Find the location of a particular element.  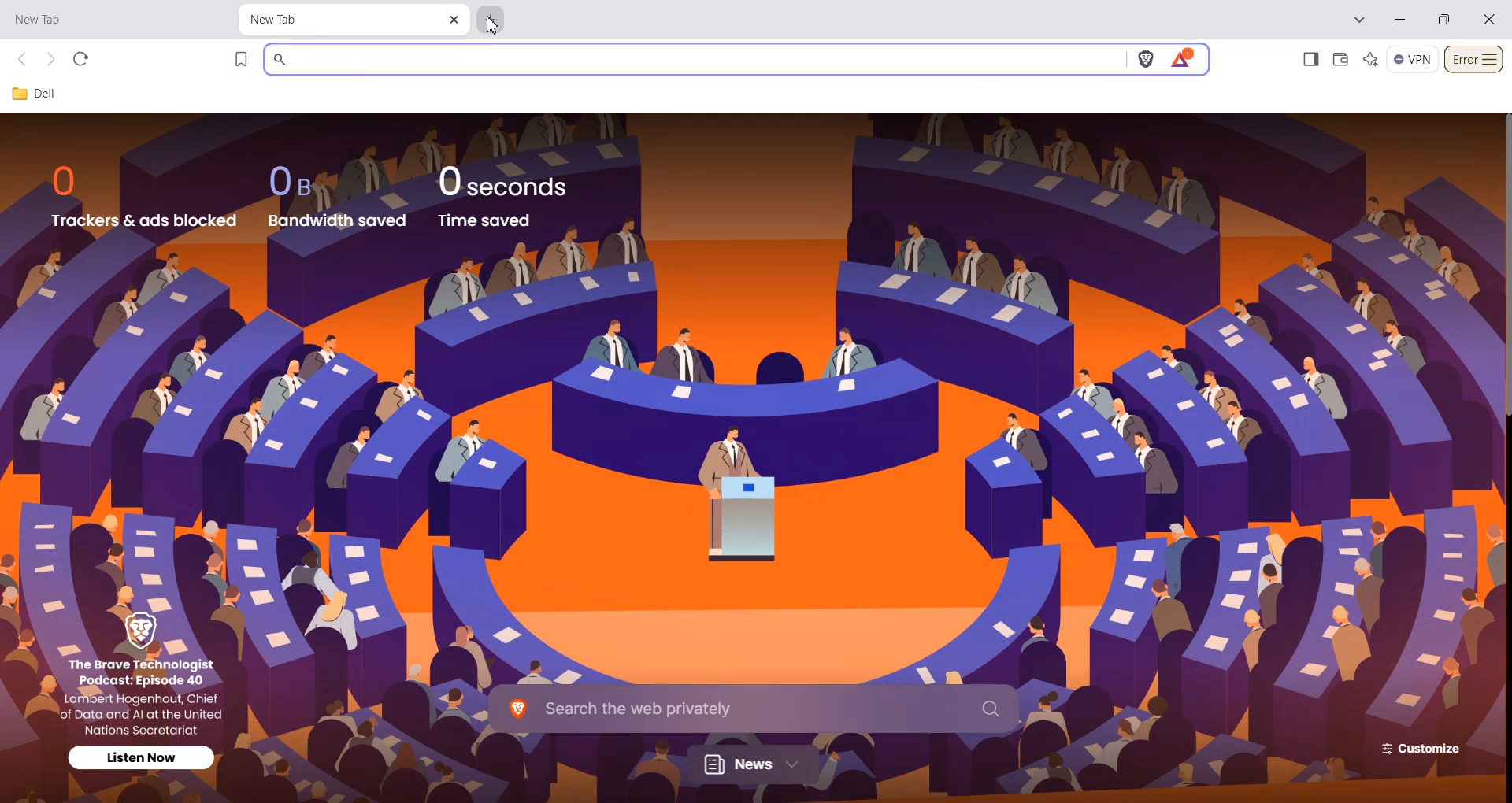

Cursor is located at coordinates (493, 25).